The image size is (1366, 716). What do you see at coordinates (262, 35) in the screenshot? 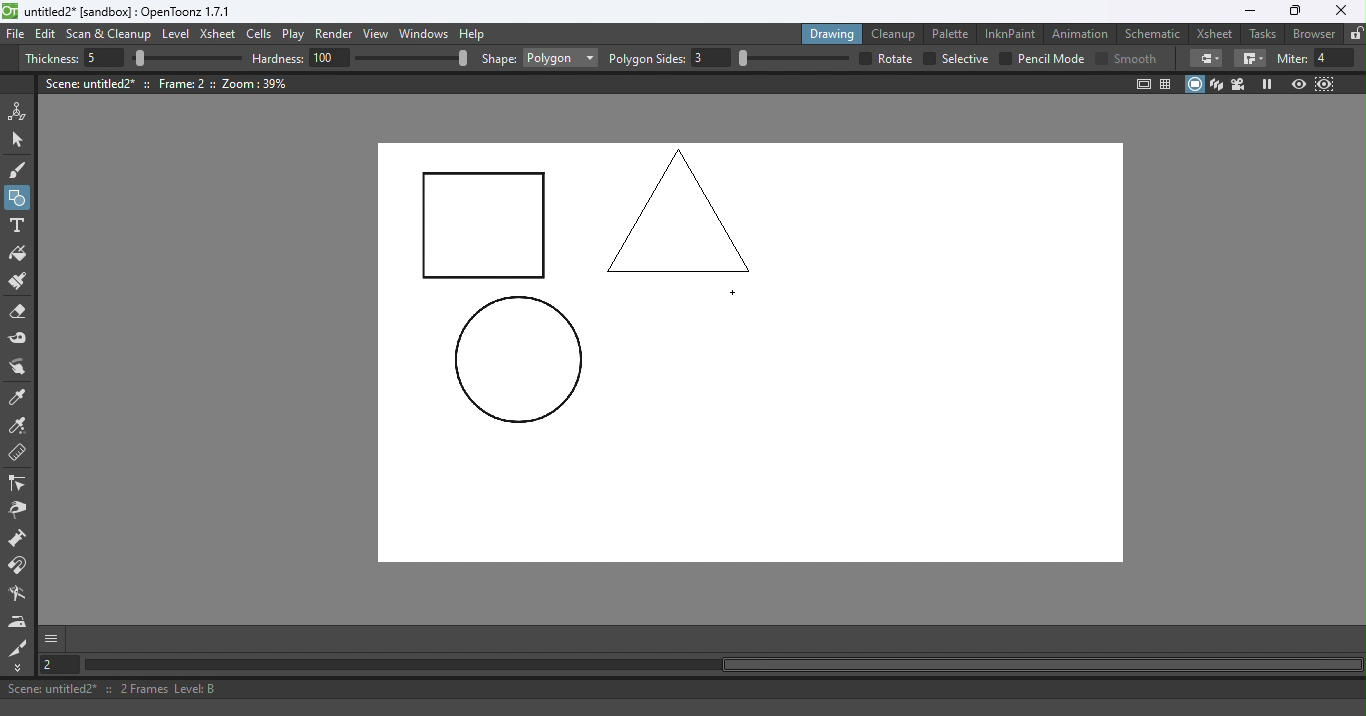
I see `Cells` at bounding box center [262, 35].